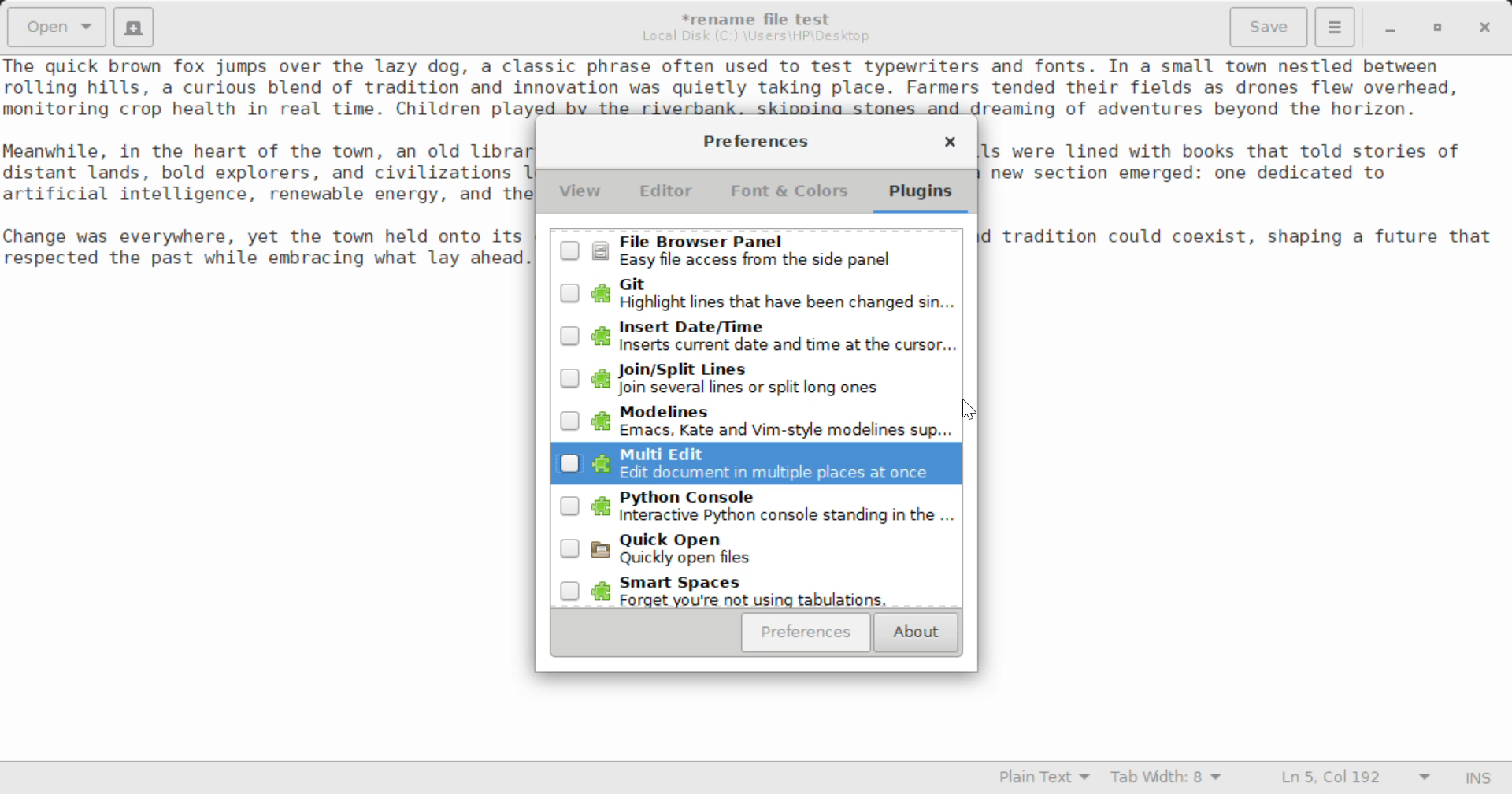 The height and width of the screenshot is (794, 1512). Describe the element at coordinates (751, 422) in the screenshot. I see `Modelines Plugin Unselected` at that location.